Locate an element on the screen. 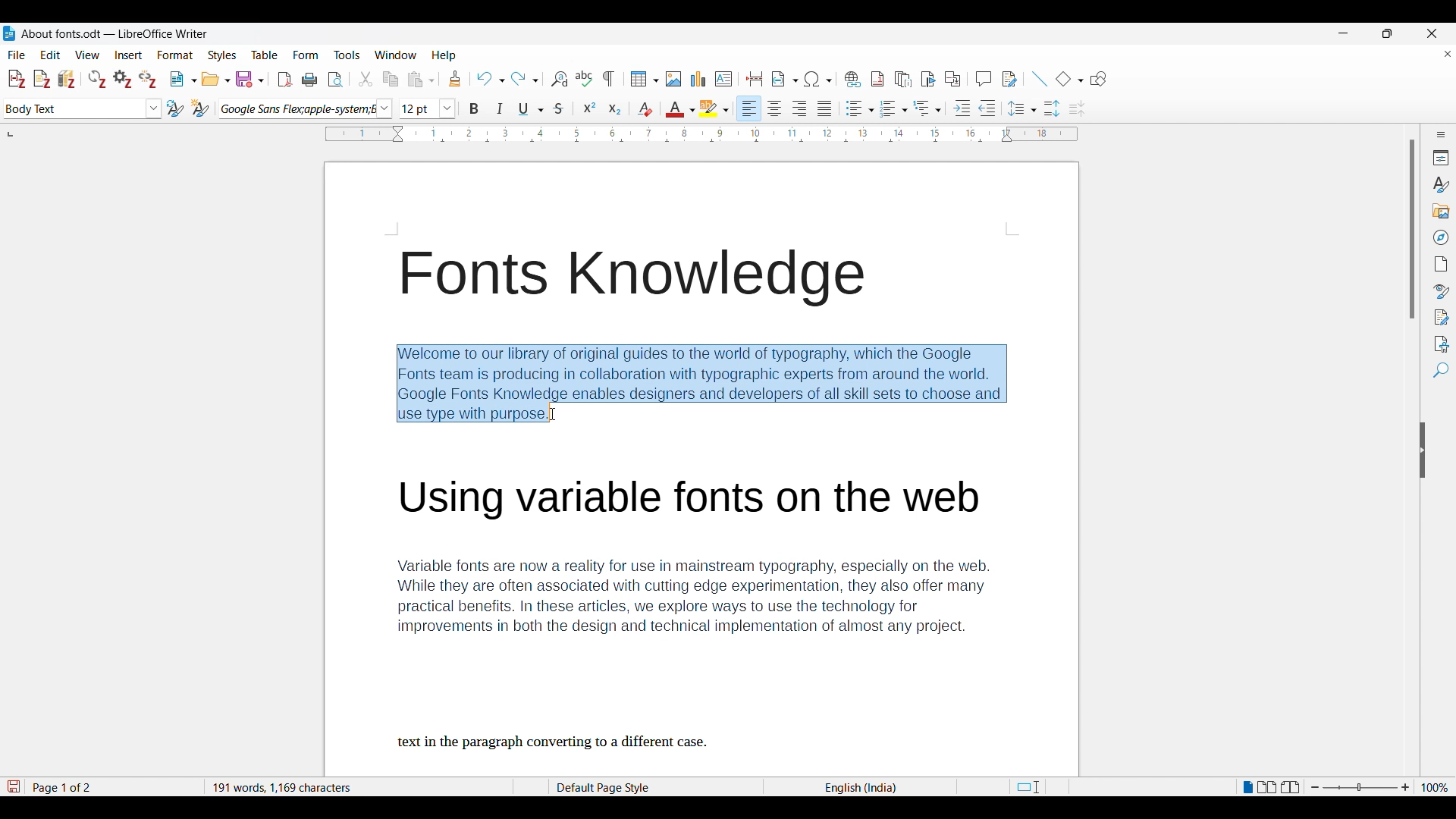 The height and width of the screenshot is (819, 1456). Export directly as PDF is located at coordinates (285, 80).